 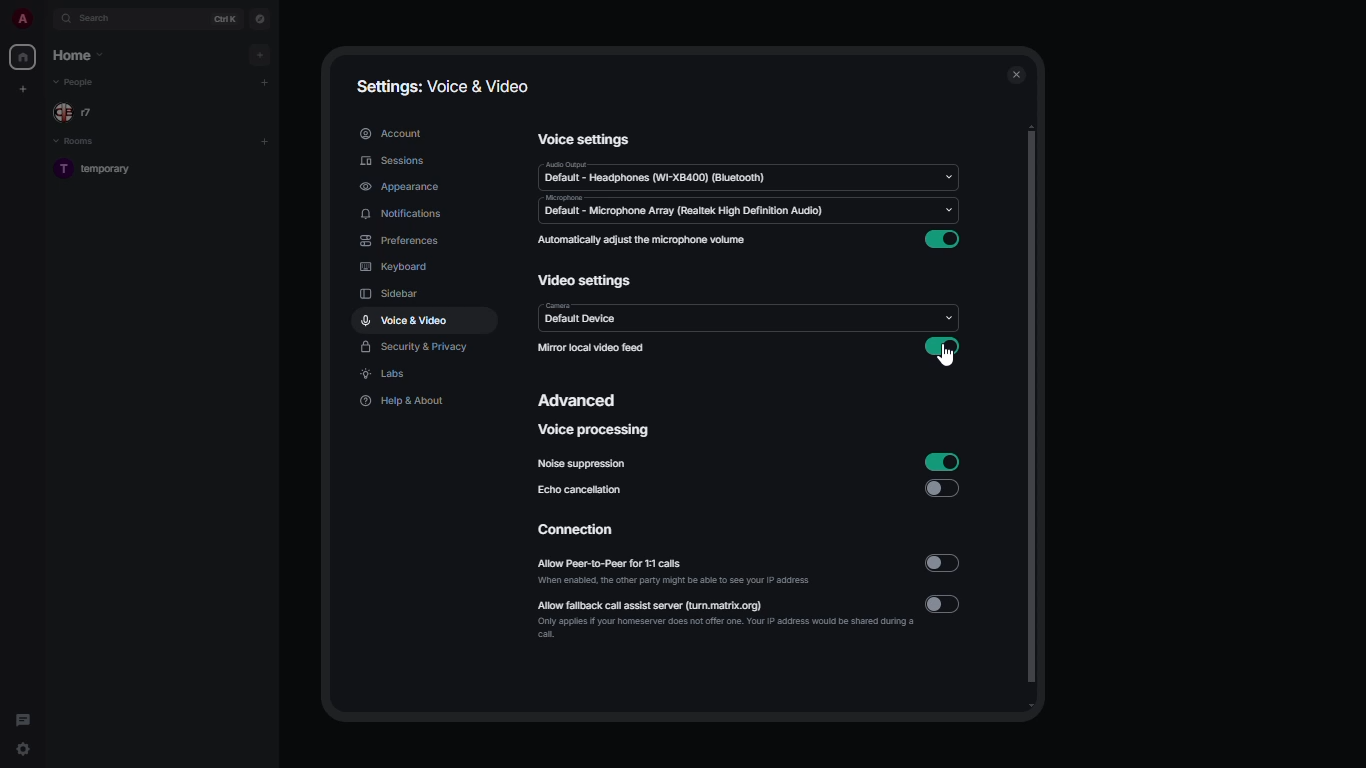 What do you see at coordinates (596, 429) in the screenshot?
I see `voice processing` at bounding box center [596, 429].